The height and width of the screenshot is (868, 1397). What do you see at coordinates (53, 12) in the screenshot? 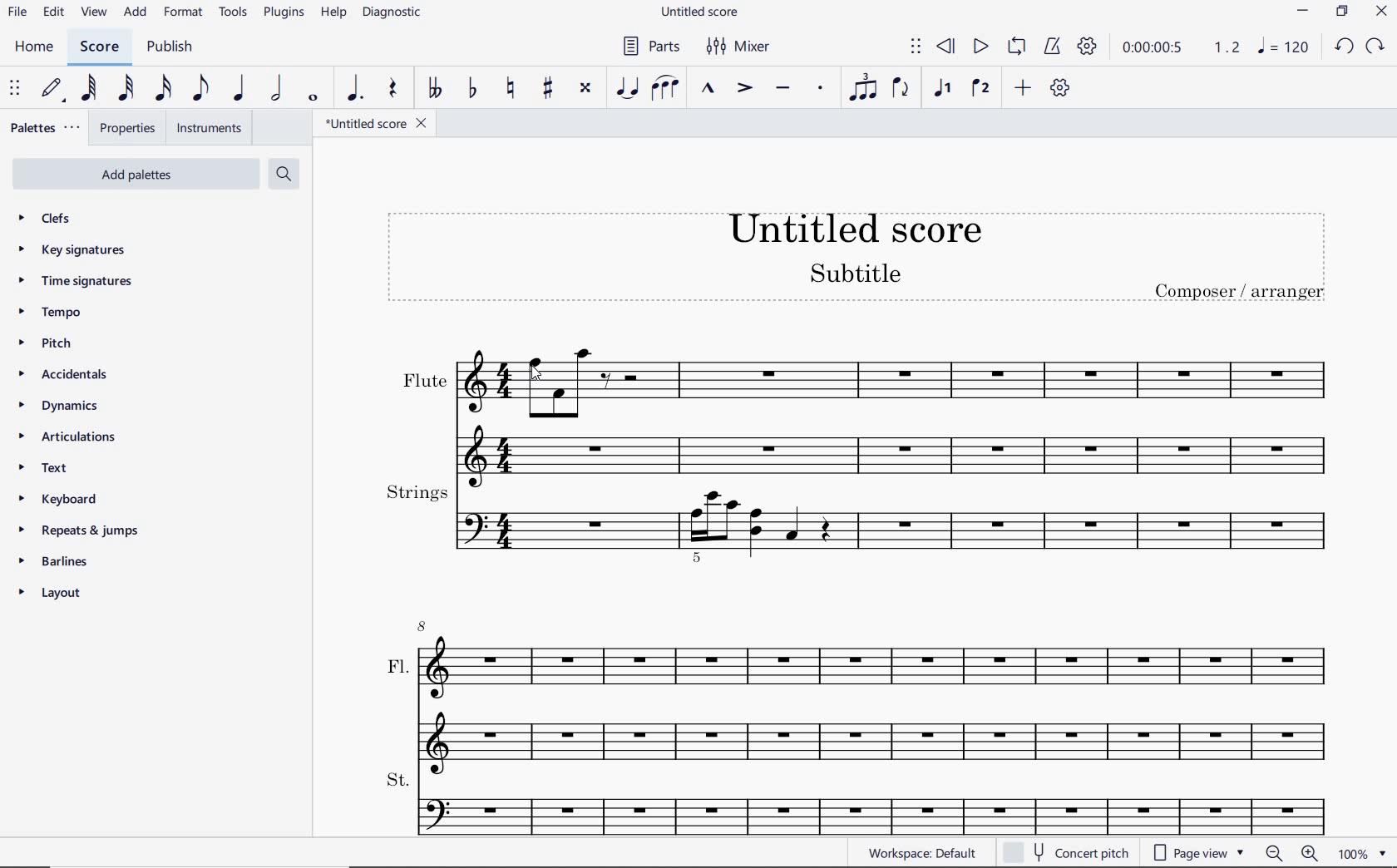
I see `edit` at bounding box center [53, 12].